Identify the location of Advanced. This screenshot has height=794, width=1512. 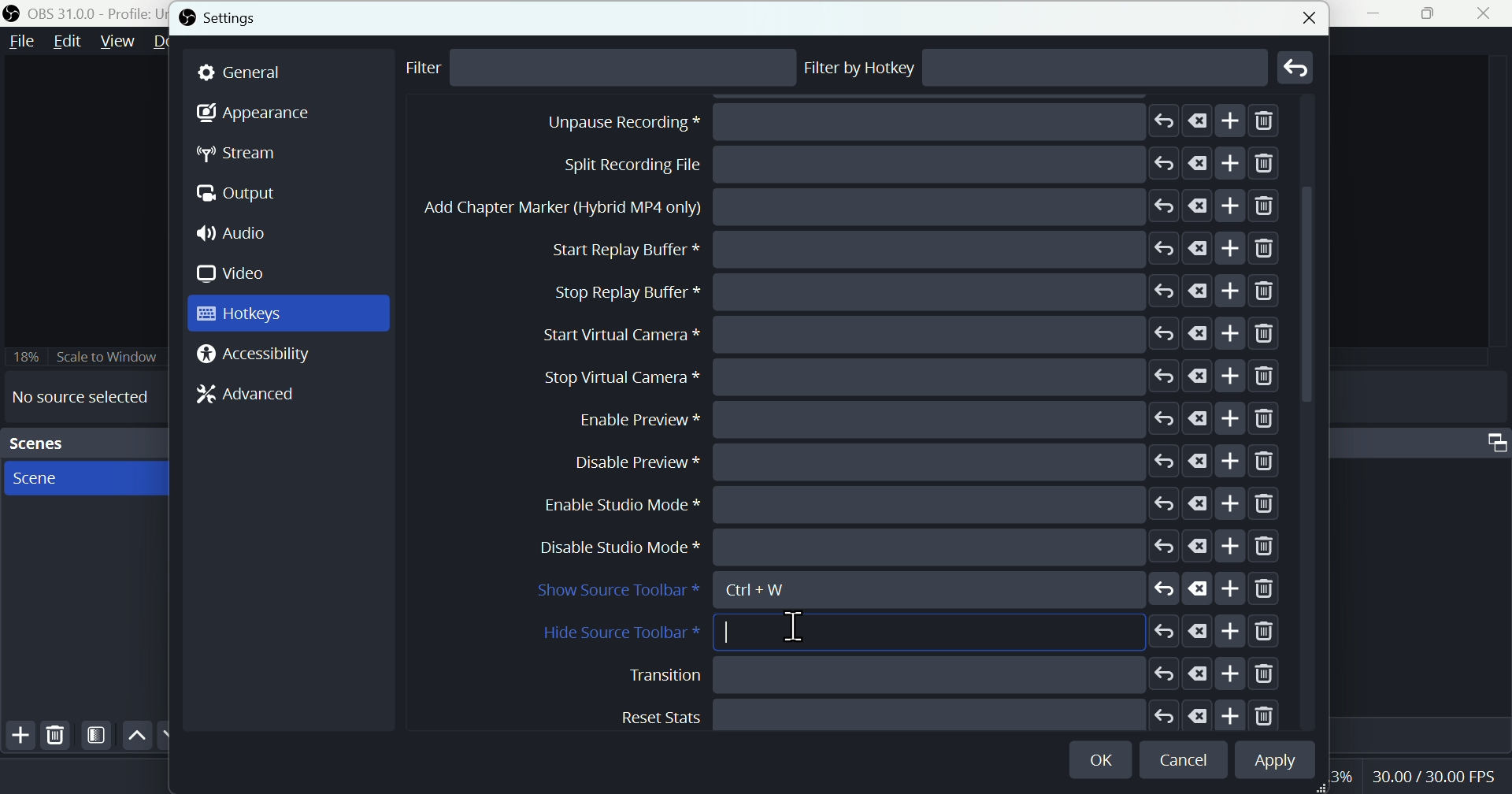
(239, 398).